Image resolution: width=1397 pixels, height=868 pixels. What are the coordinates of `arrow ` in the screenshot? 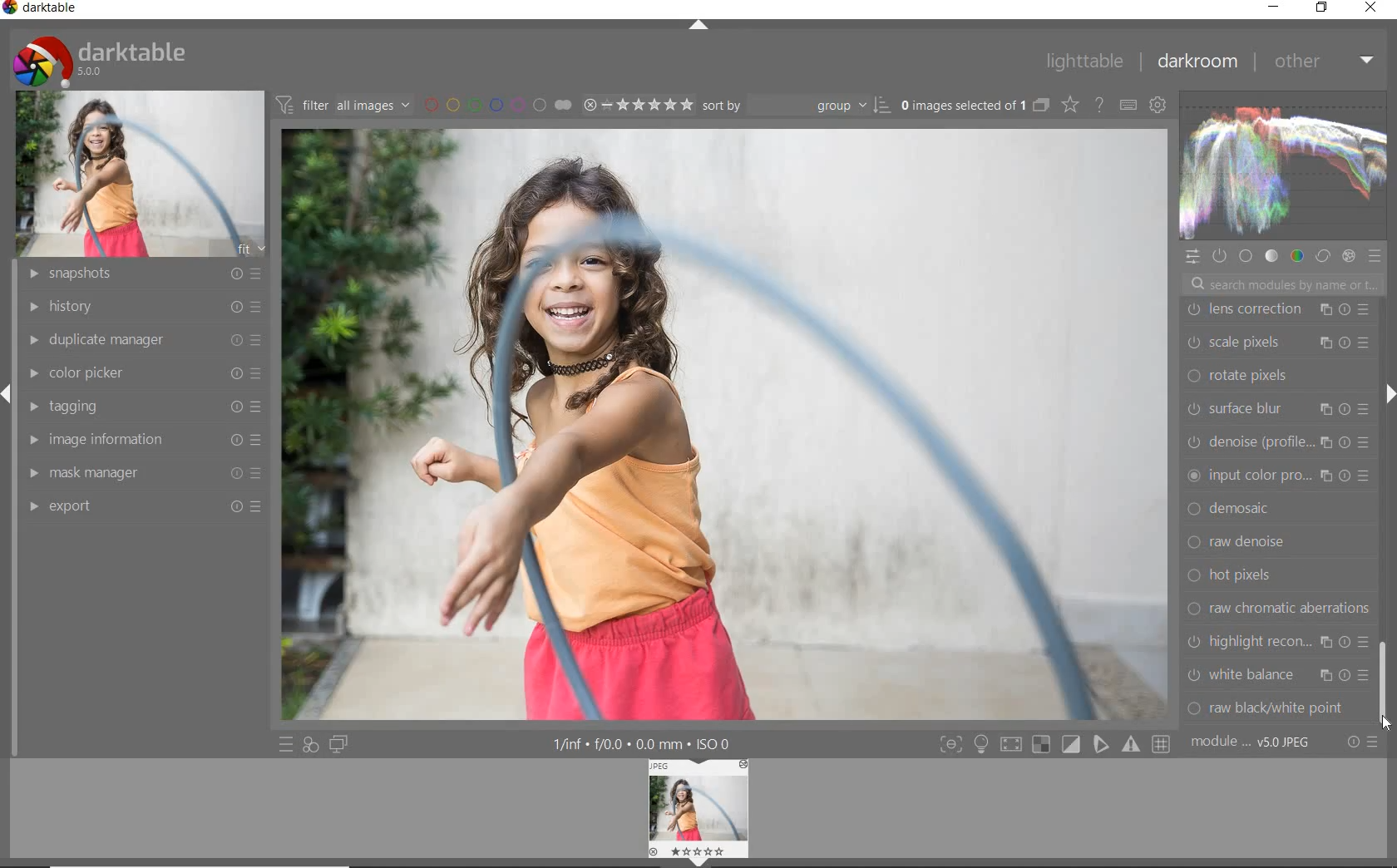 It's located at (12, 396).